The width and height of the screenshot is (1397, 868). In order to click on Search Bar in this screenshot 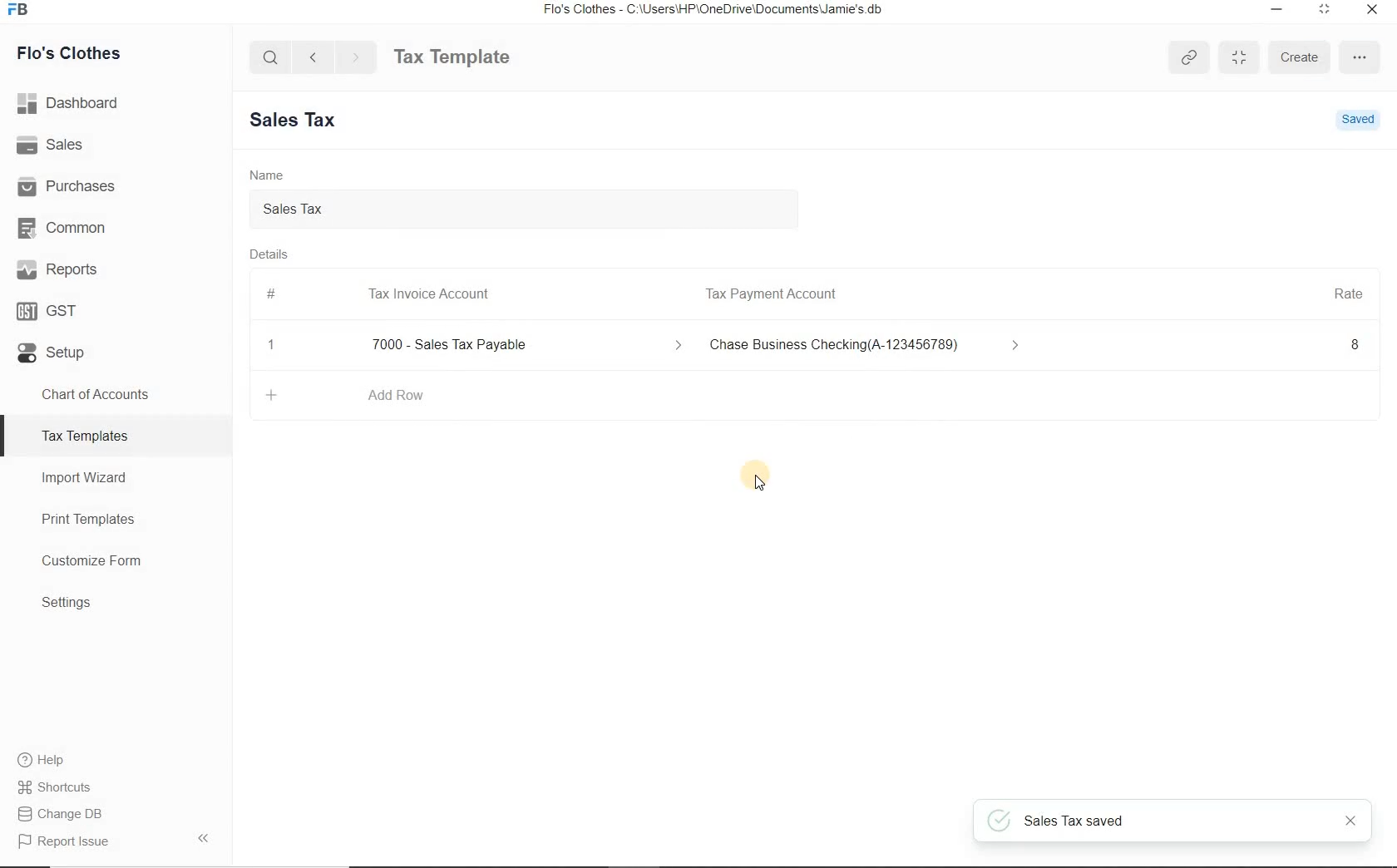, I will do `click(271, 56)`.